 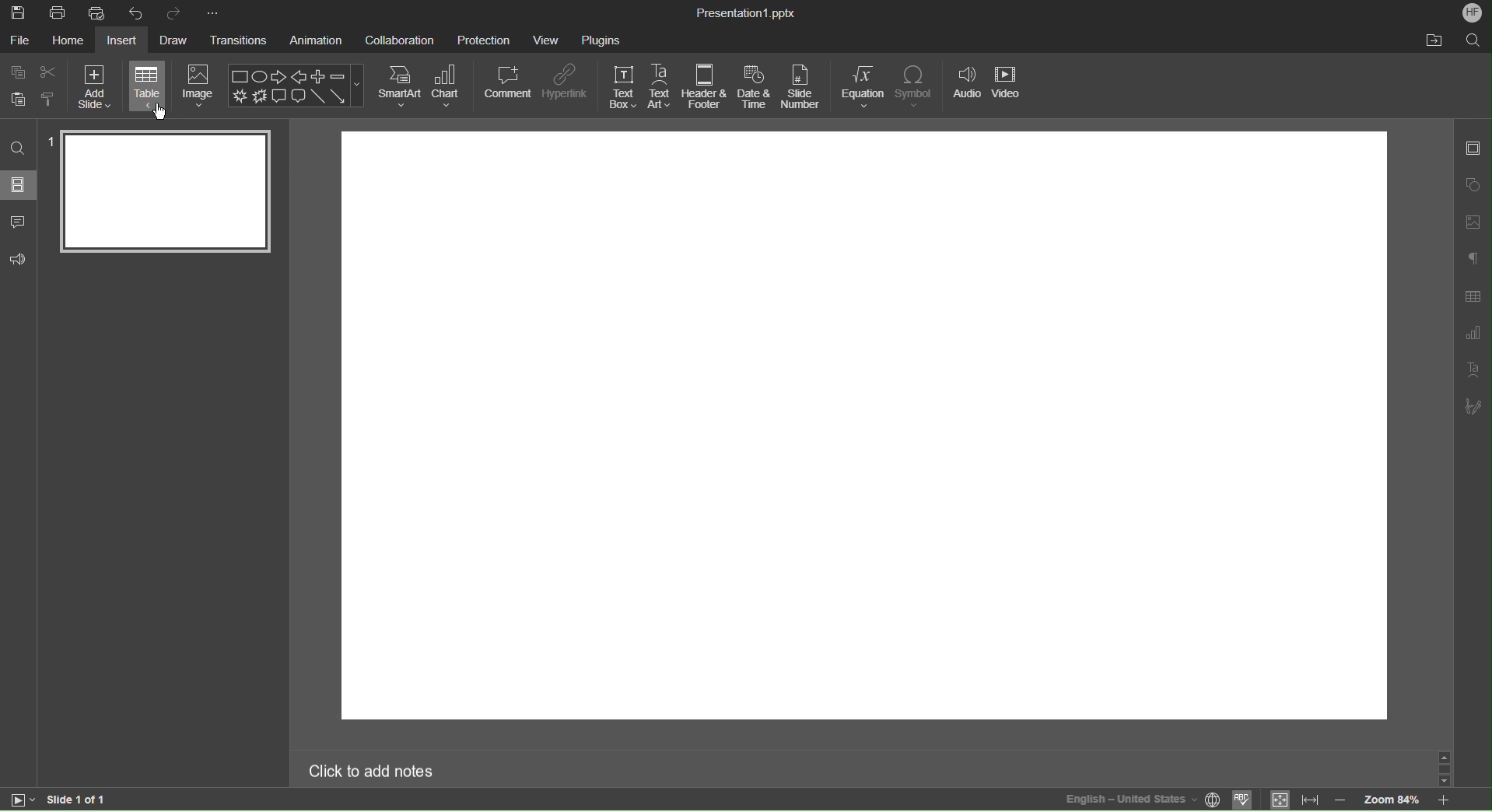 What do you see at coordinates (967, 86) in the screenshot?
I see `Audio` at bounding box center [967, 86].